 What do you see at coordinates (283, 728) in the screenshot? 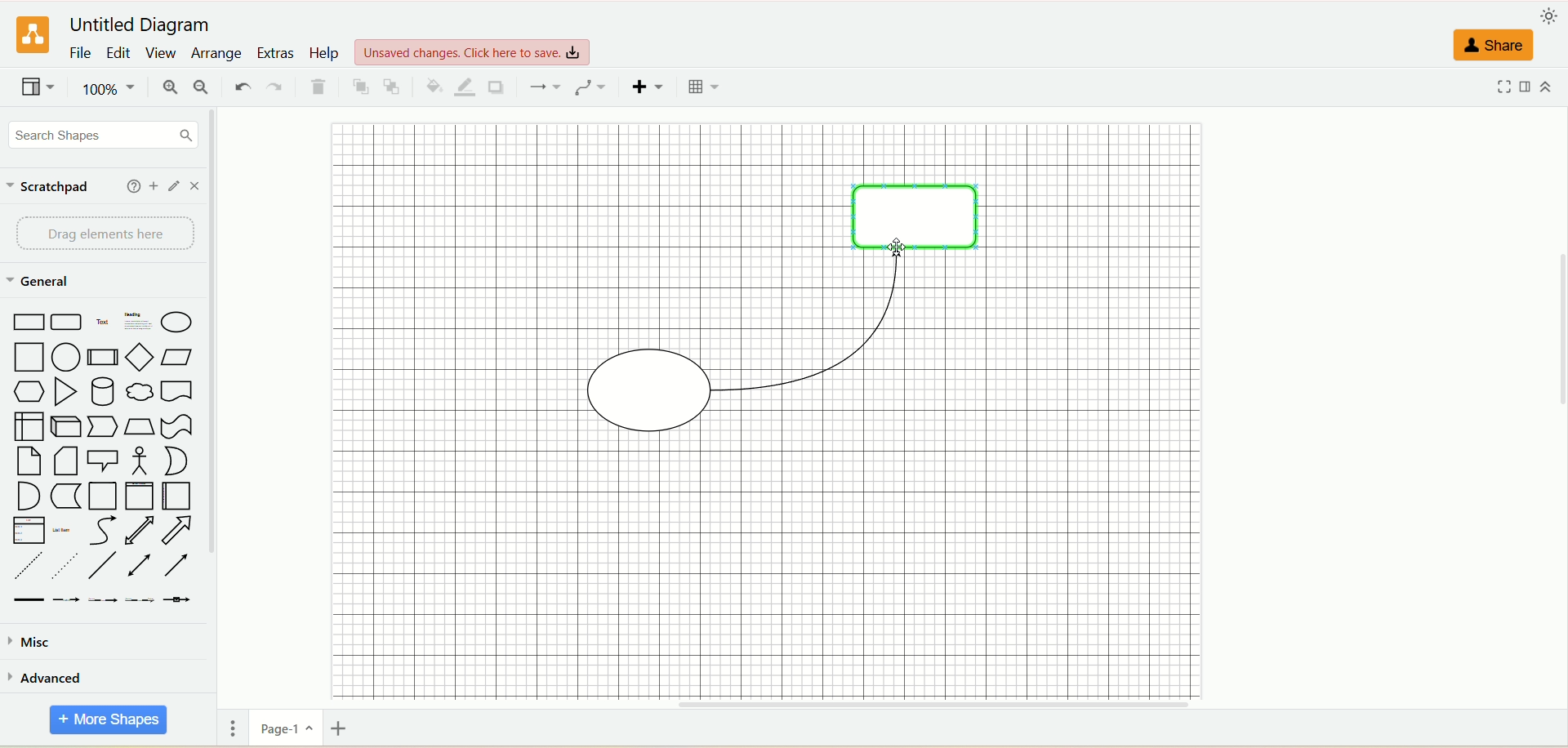
I see `page-1` at bounding box center [283, 728].